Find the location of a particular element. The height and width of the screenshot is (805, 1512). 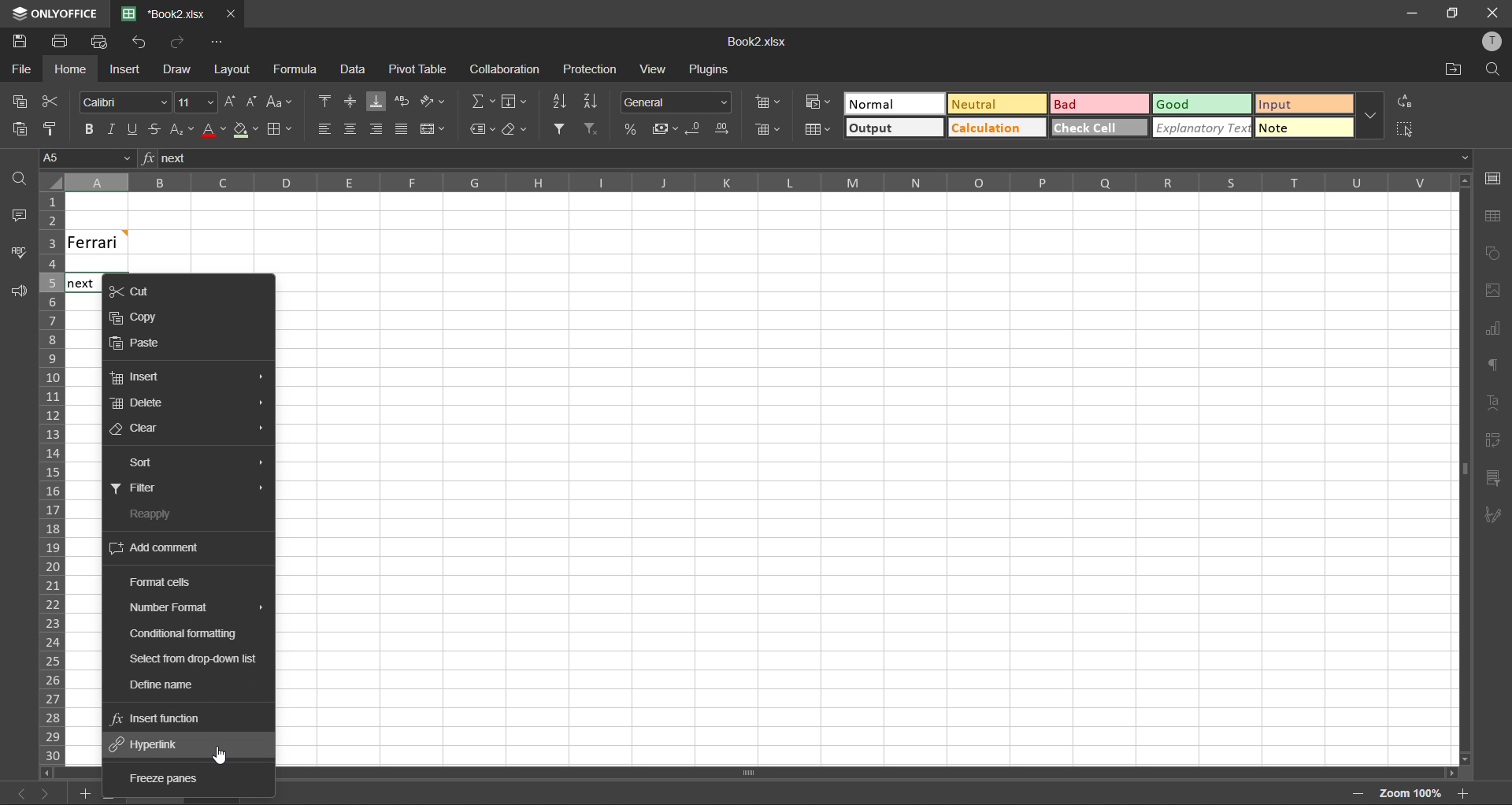

data is located at coordinates (358, 71).